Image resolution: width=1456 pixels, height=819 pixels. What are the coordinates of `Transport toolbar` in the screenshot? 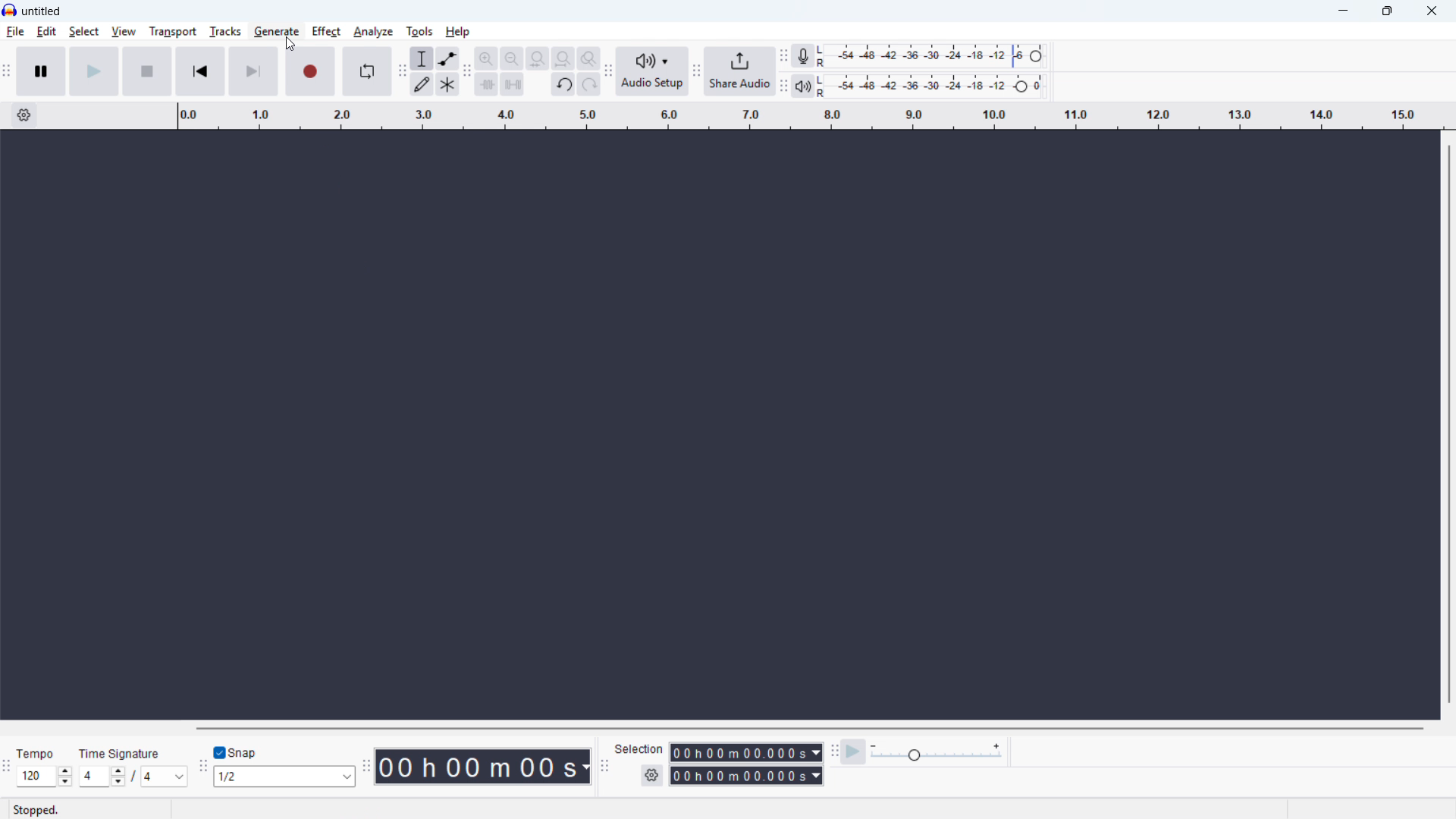 It's located at (7, 71).